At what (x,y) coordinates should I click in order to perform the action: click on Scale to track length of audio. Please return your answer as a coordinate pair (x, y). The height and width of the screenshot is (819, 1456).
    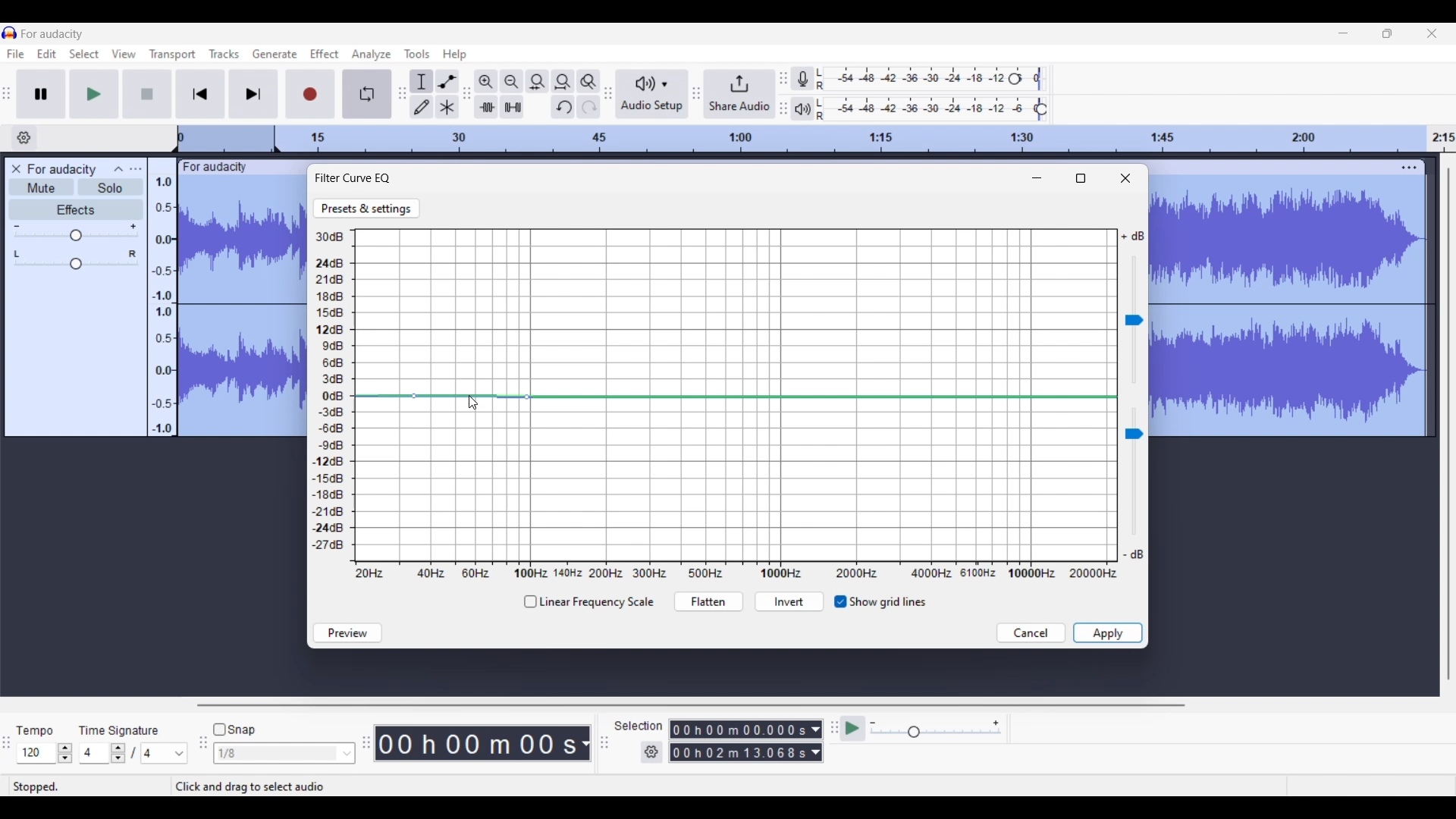
    Looking at the image, I should click on (870, 139).